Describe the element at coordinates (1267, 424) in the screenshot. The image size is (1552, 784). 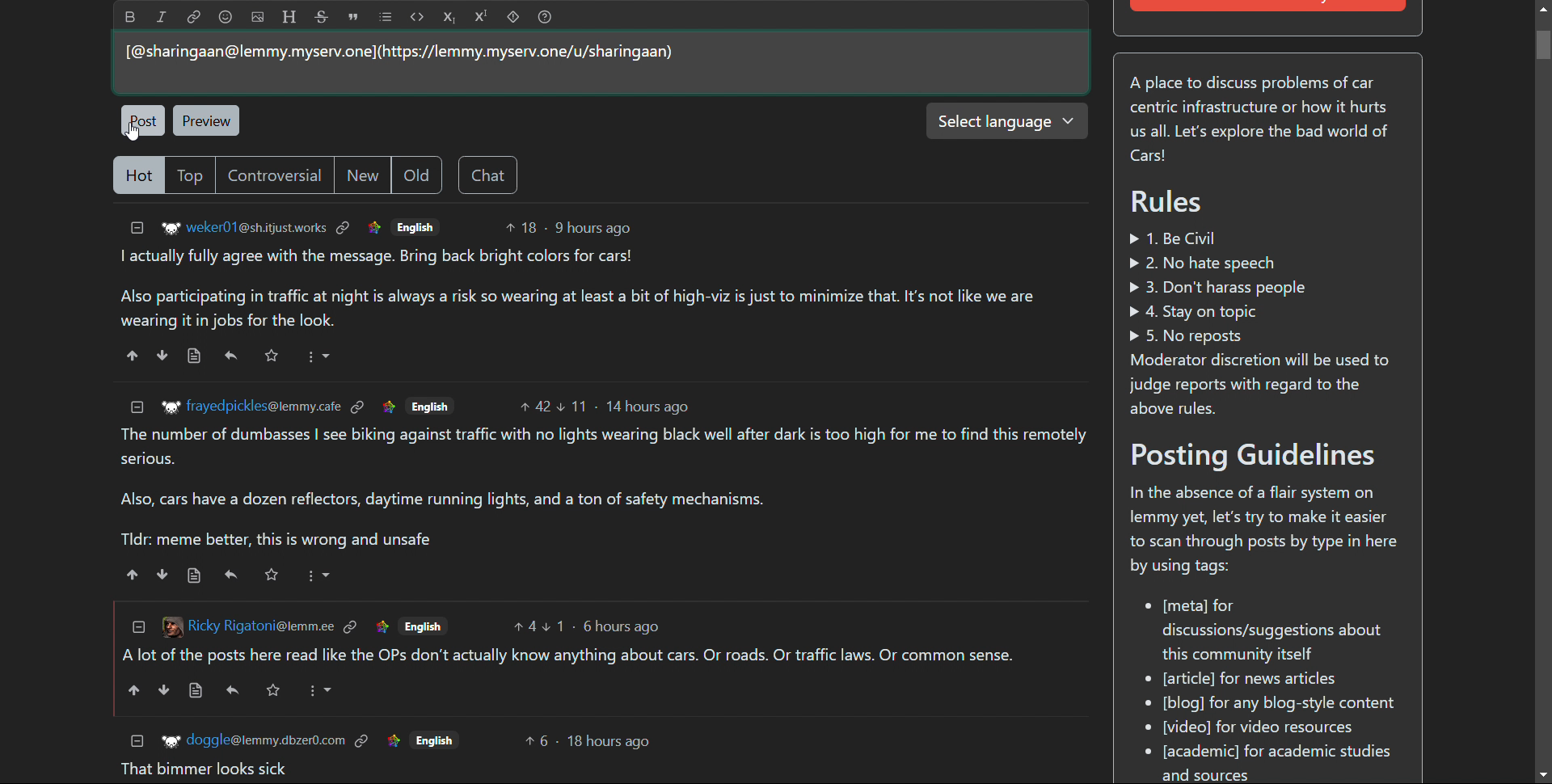
I see `A place to discuss problems of car
centric infrastructure or how it hurts
us all. Let's explore the bad world of
Cars!

Rules

» 1. Be Civil

» 2. No hate speech

» 3. Don't harass people

> 4. Stay on topic

» 5. No reposts

Moderator discretion will be used to
judge reports with regard to the
above rules.

Posting Guidelines
In the absence of a flair system on
lemmy yet, let's try to make it easier
to scan through posts by type in here
by using tags:

* [meta] for
discussions/suggestions about
this community itself

eo [article] for news articles

[blog] for any blog-style content

* [video] for video resources

* [academic] for academic studies
and sources` at that location.